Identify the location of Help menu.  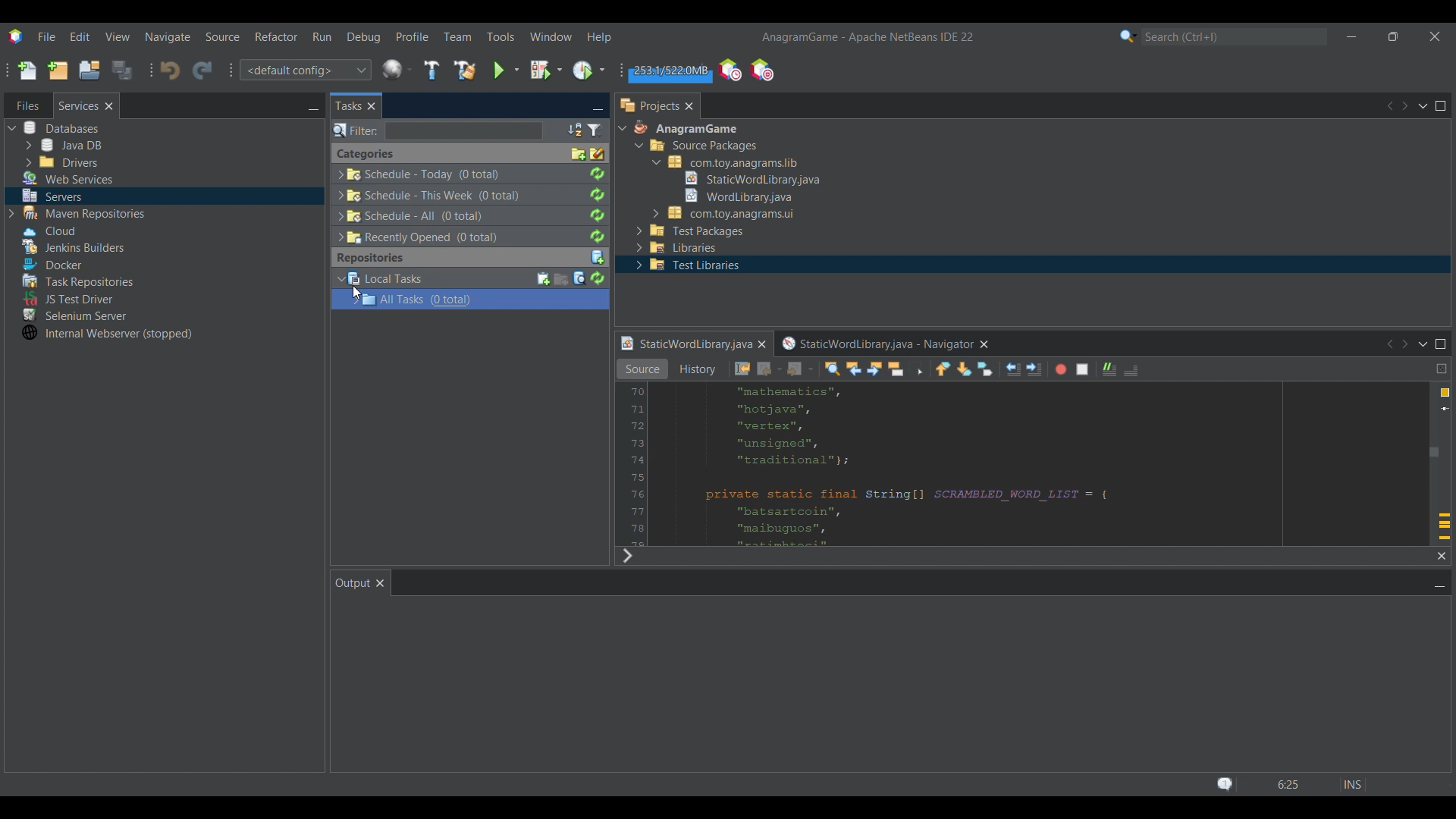
(599, 37).